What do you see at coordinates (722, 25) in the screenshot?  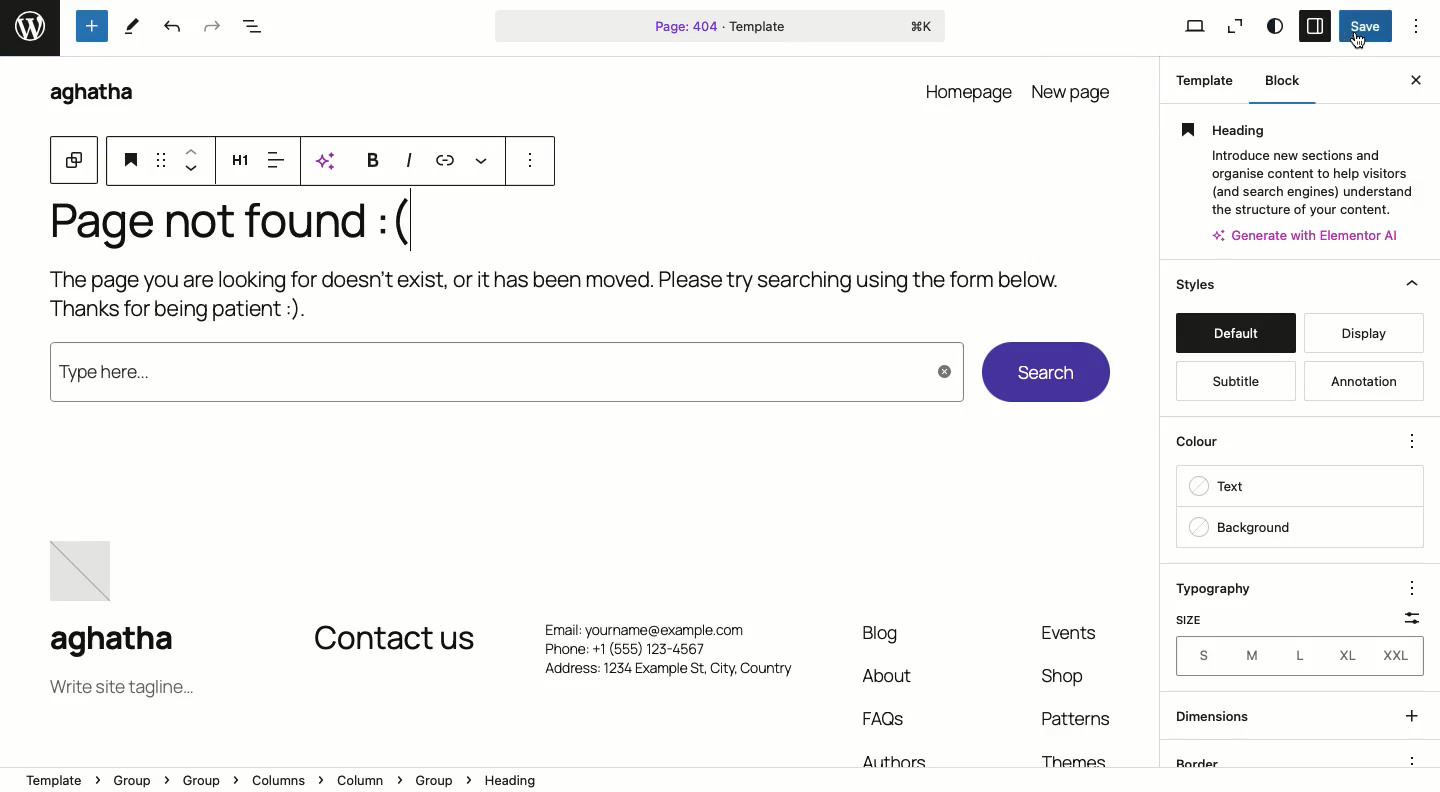 I see `Page 404` at bounding box center [722, 25].